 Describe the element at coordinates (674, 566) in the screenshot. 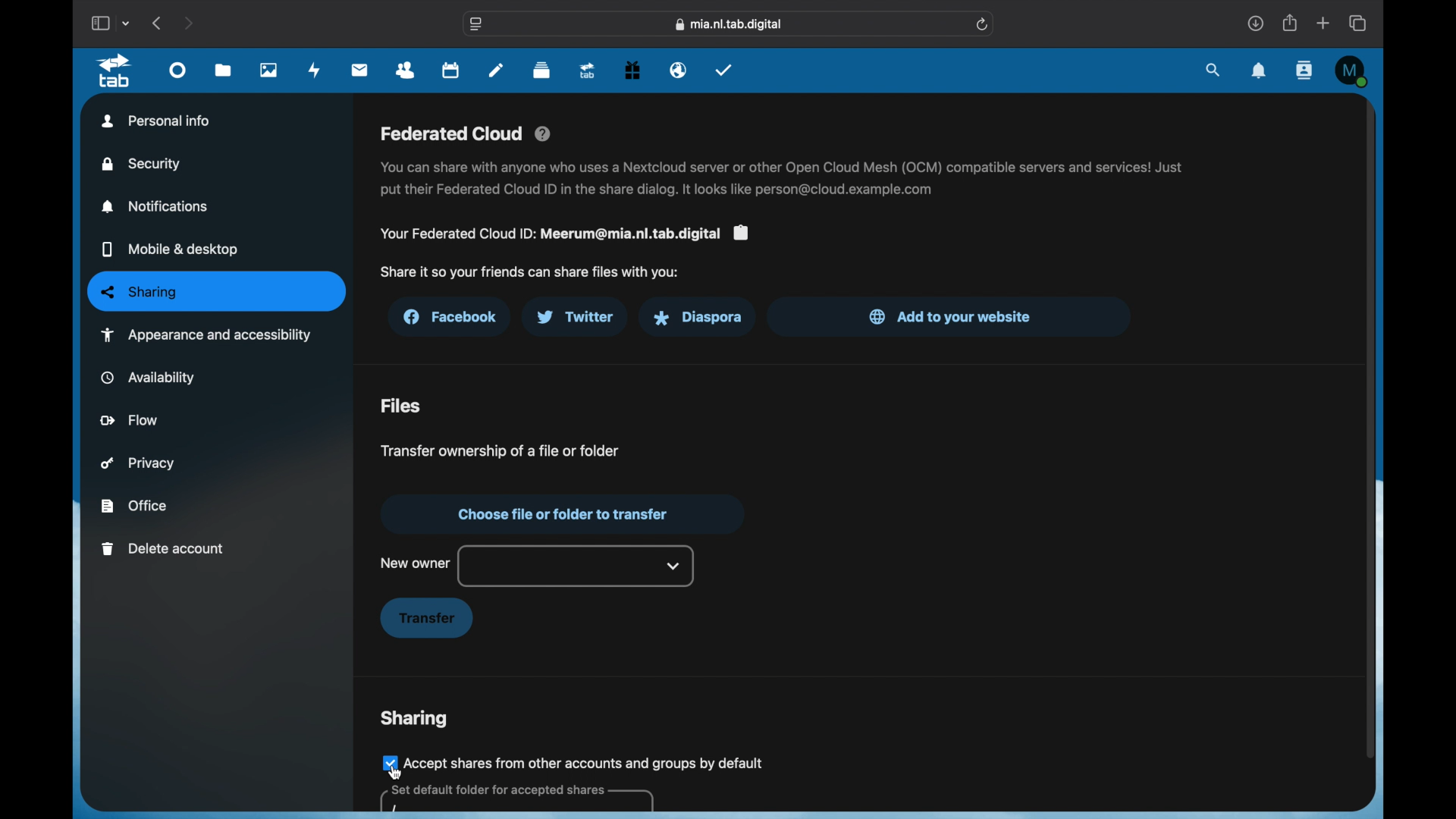

I see `dropdown` at that location.